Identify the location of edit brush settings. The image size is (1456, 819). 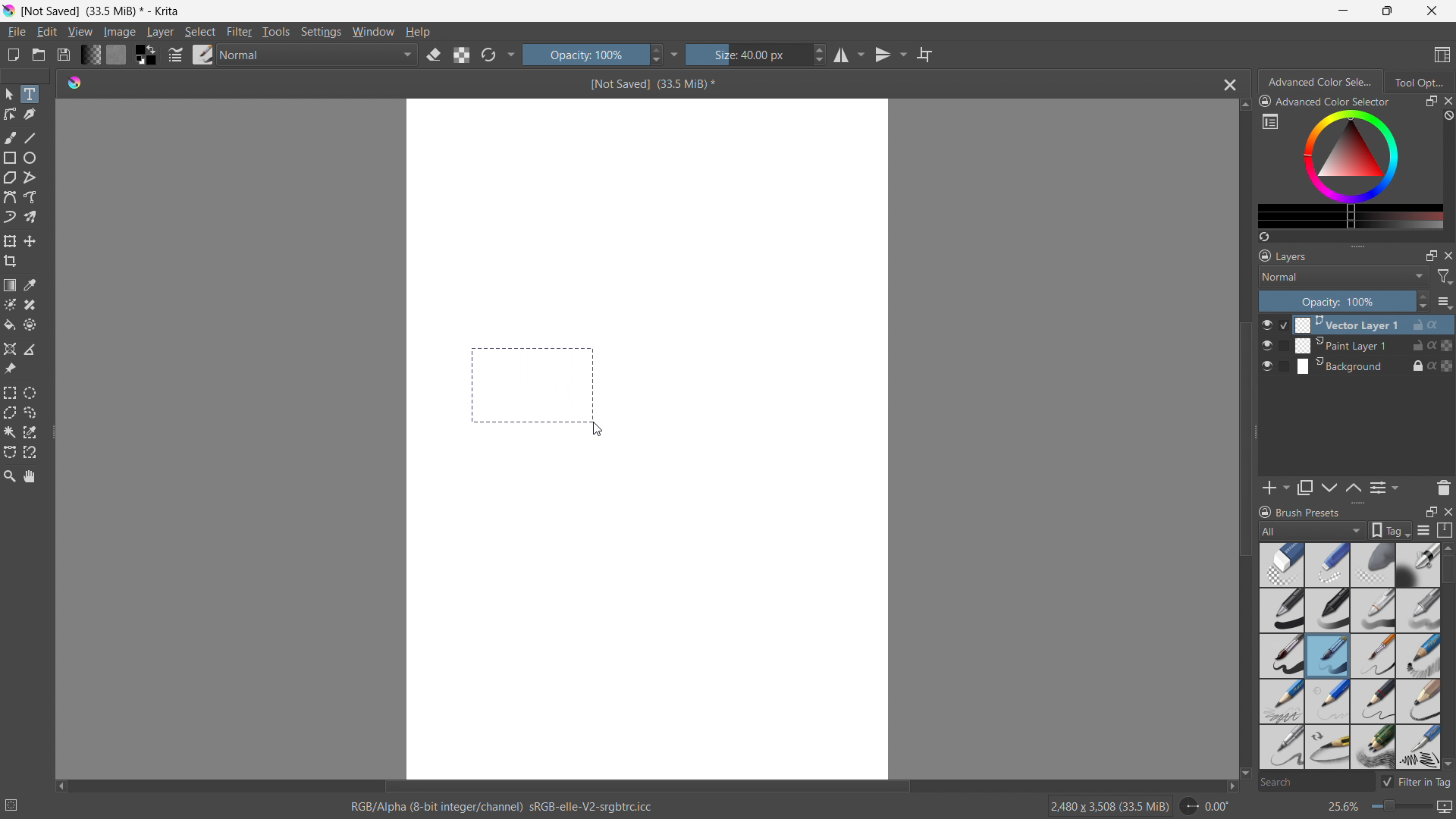
(175, 55).